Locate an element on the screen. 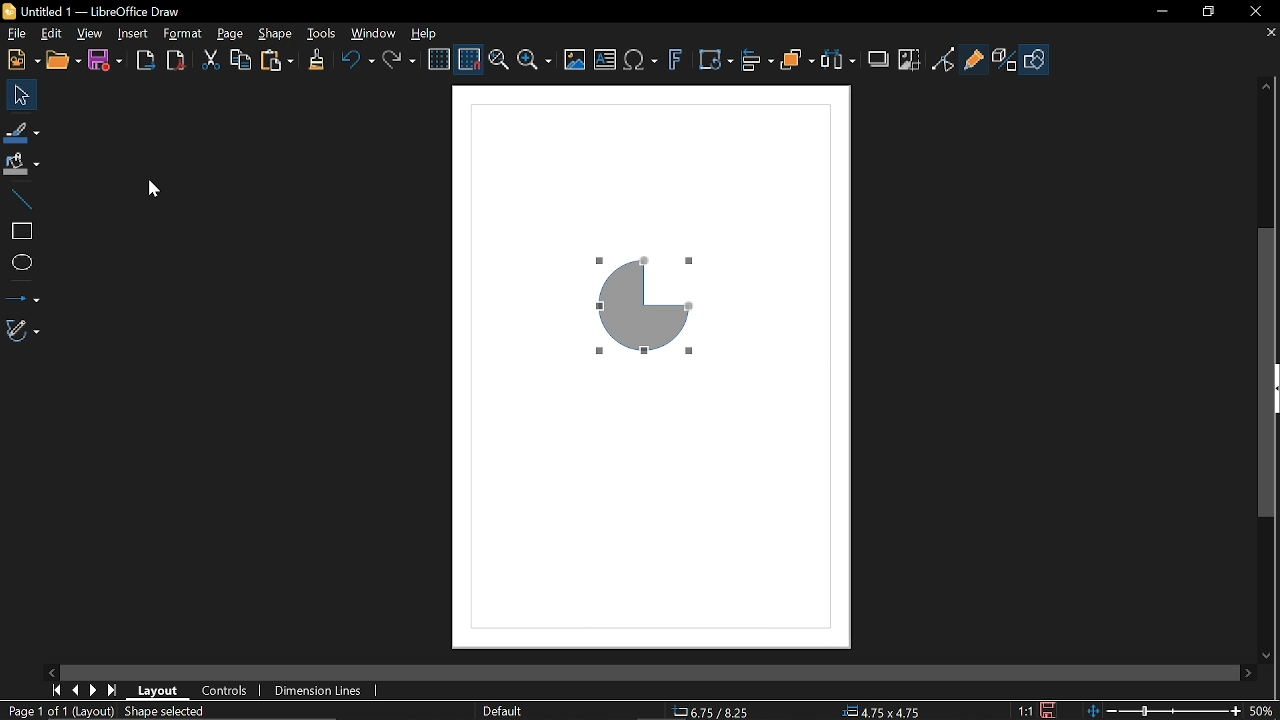 This screenshot has width=1280, height=720. Insert image is located at coordinates (604, 59).